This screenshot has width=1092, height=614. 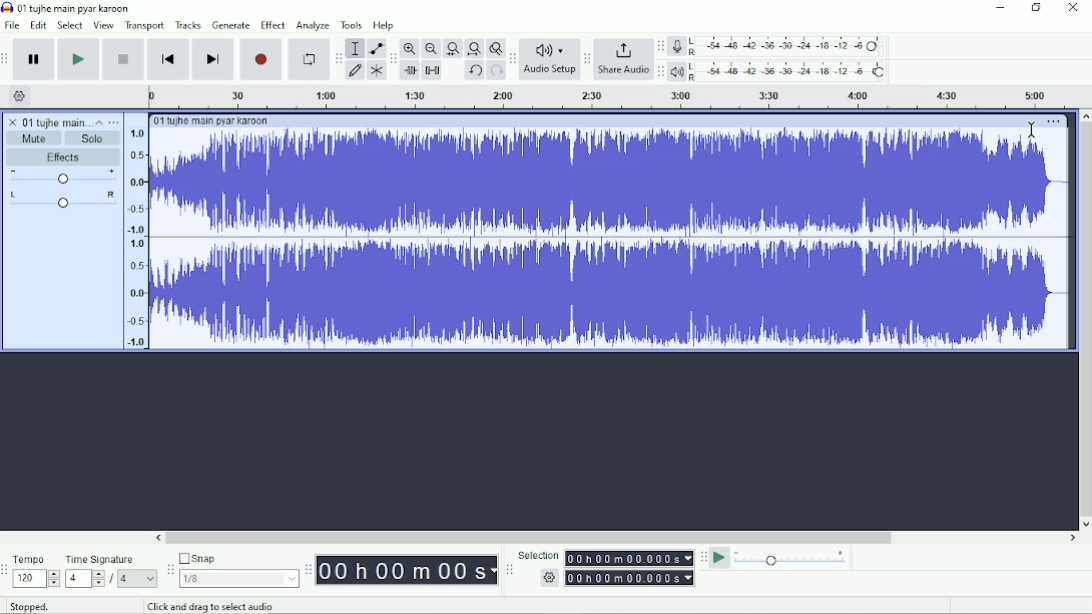 What do you see at coordinates (27, 607) in the screenshot?
I see `Stopped` at bounding box center [27, 607].